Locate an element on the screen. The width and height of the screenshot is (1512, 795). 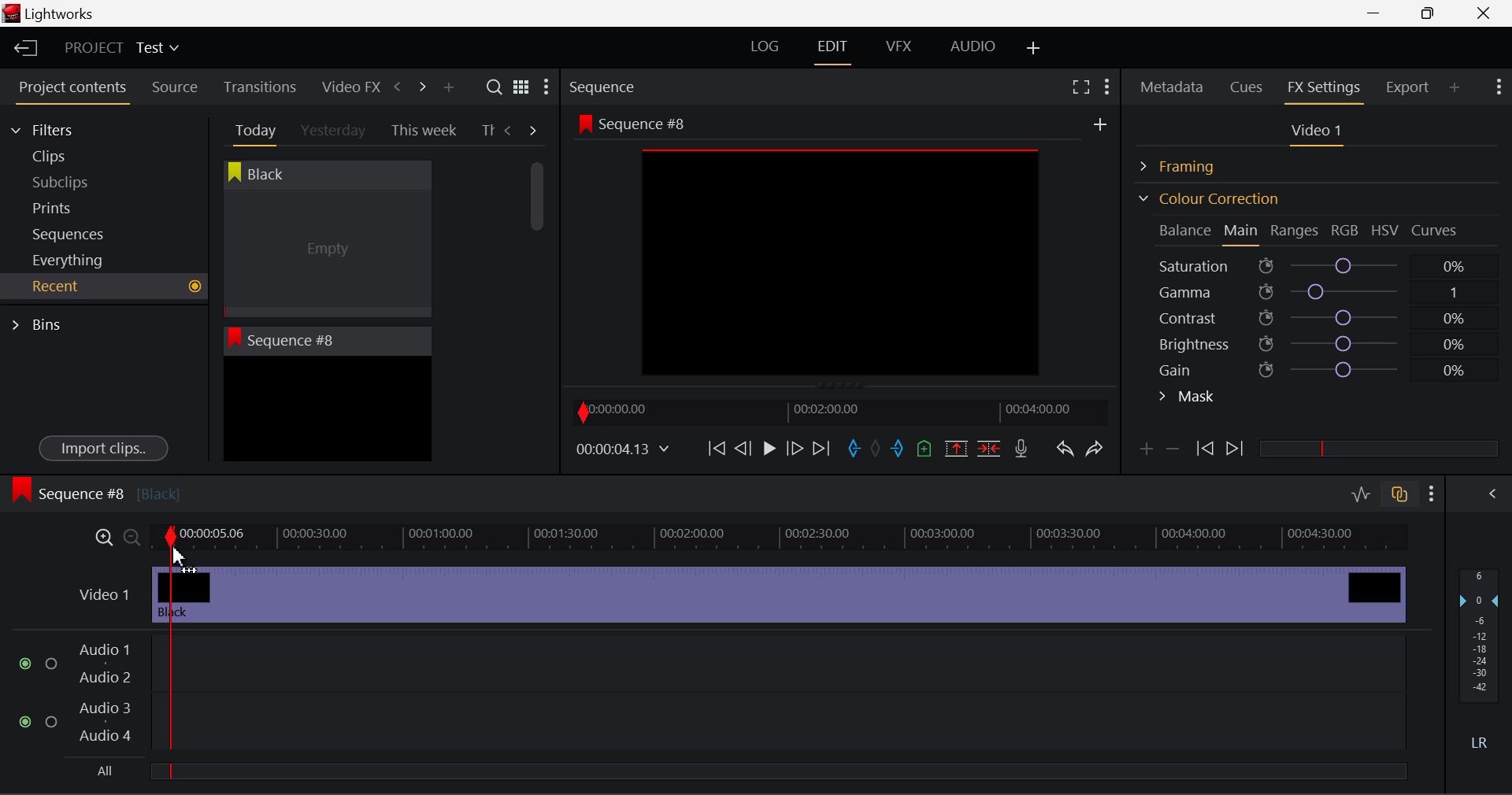
Balance Section is located at coordinates (1187, 230).